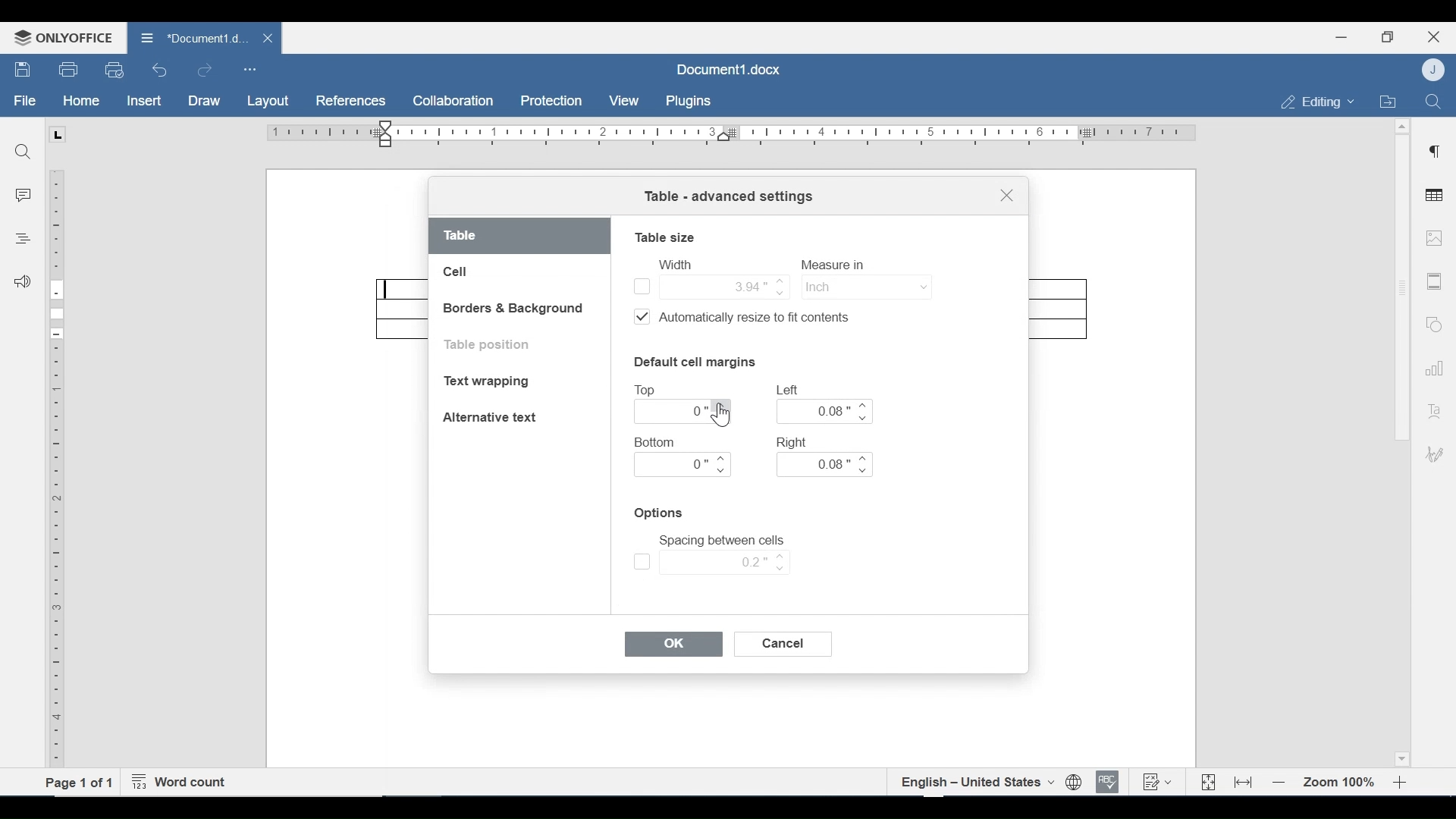 The height and width of the screenshot is (819, 1456). Describe the element at coordinates (551, 102) in the screenshot. I see `Protection` at that location.